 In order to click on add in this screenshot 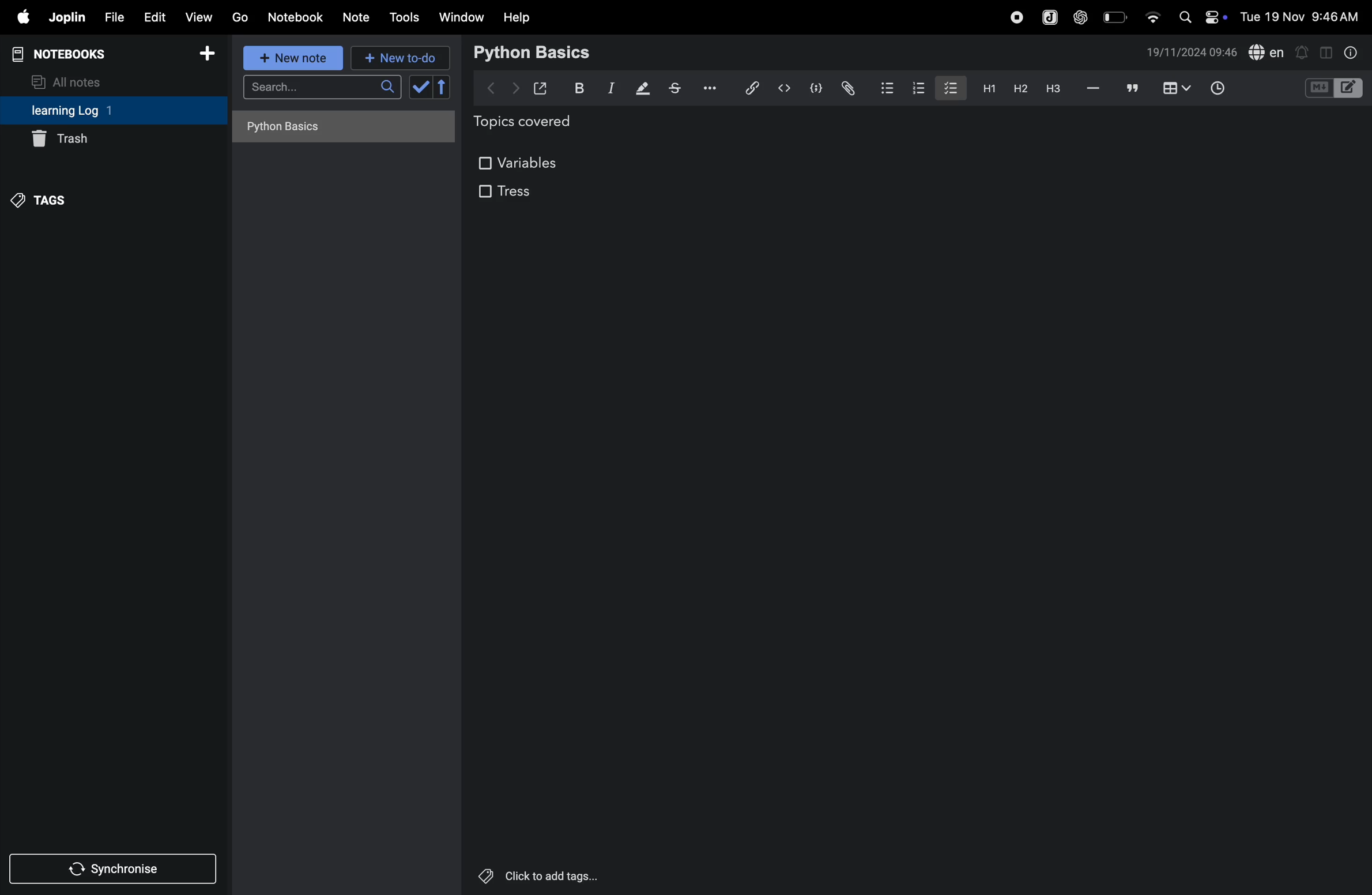, I will do `click(208, 57)`.